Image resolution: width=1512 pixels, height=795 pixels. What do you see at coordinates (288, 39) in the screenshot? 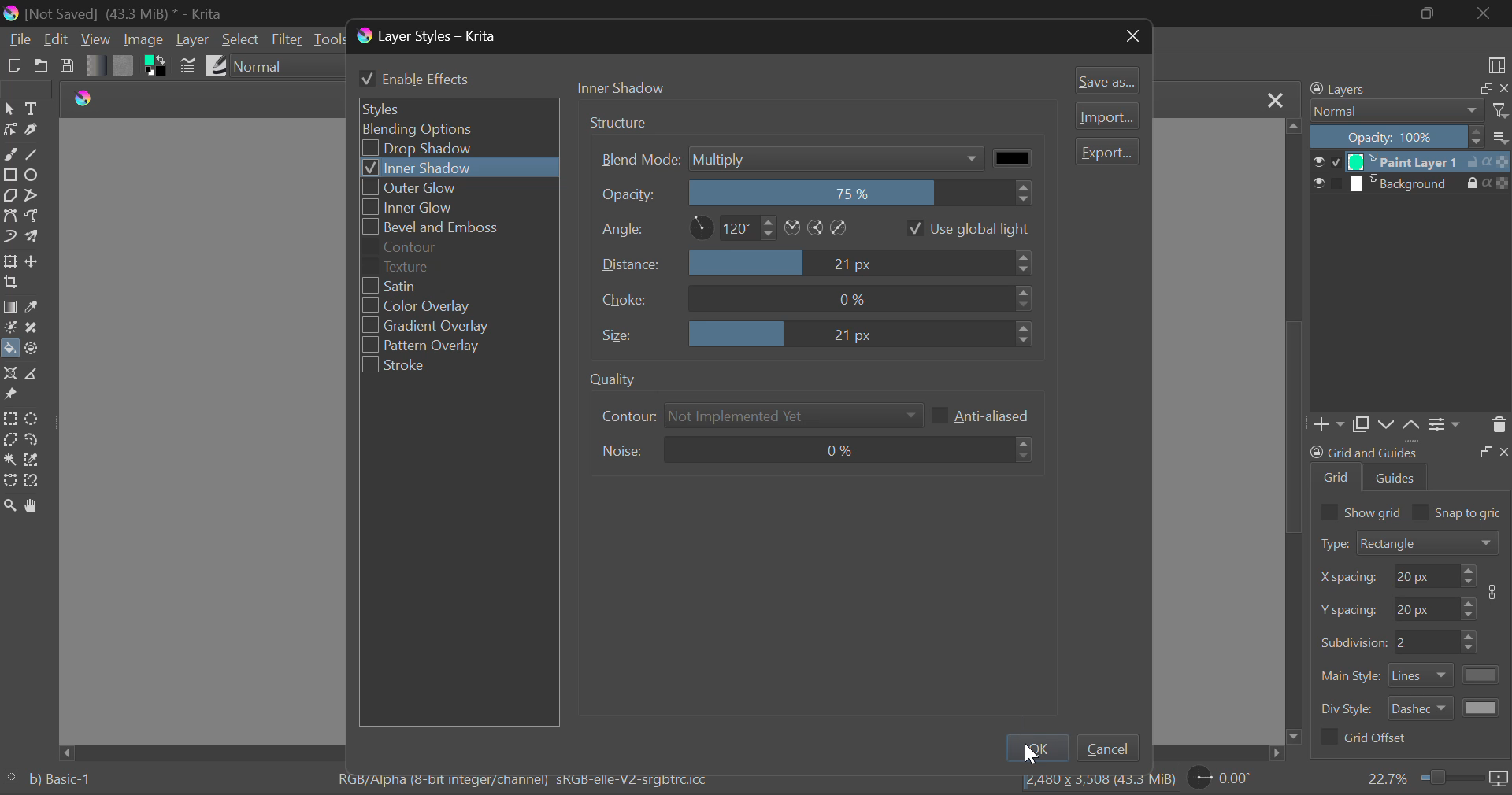
I see `Filter` at bounding box center [288, 39].